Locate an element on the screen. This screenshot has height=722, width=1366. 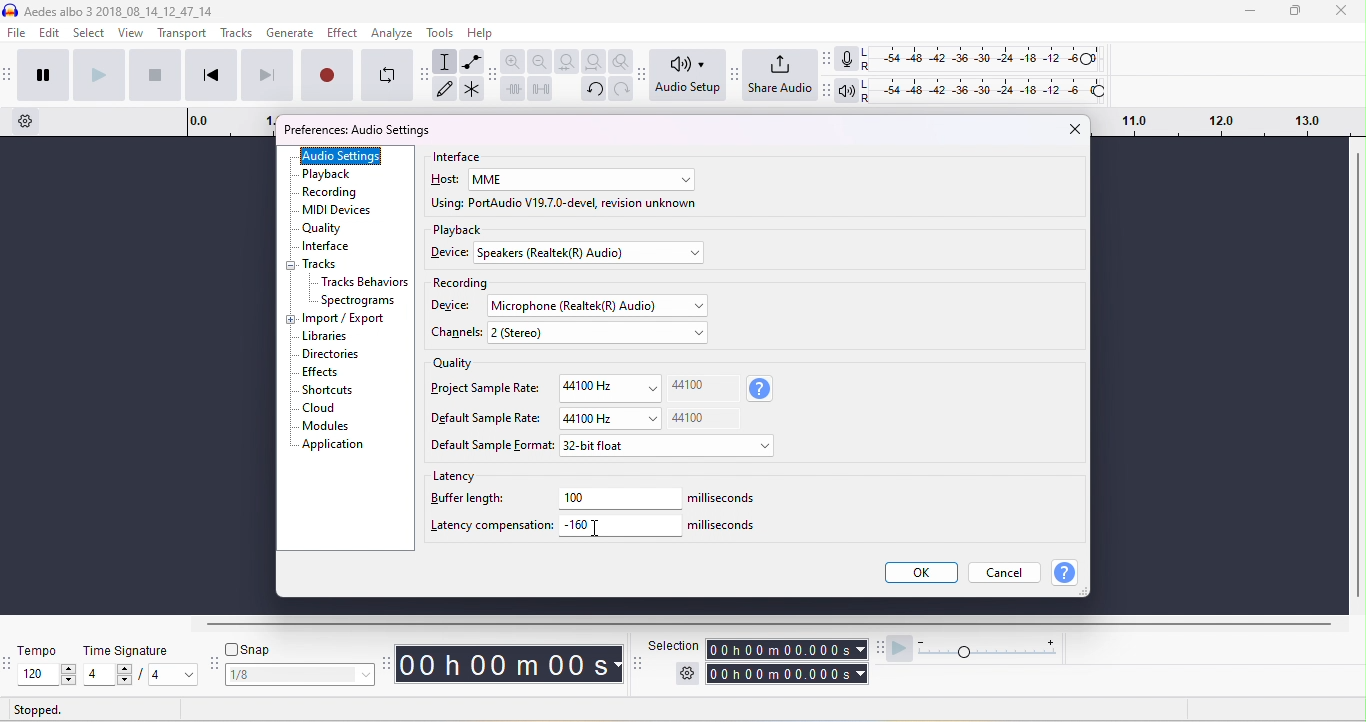
audacity transport toolbar is located at coordinates (9, 74).